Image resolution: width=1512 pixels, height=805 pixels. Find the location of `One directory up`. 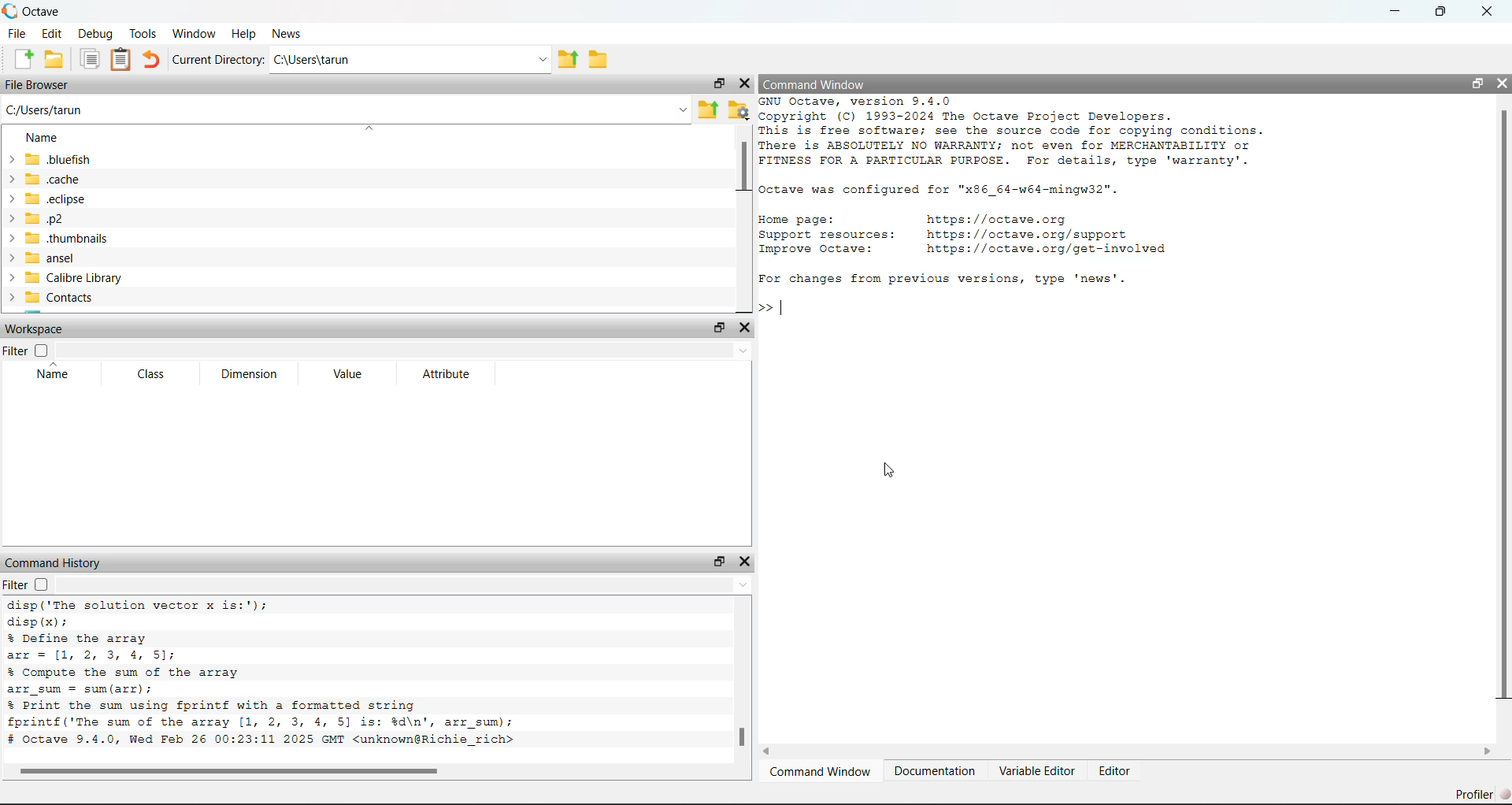

One directory up is located at coordinates (569, 60).